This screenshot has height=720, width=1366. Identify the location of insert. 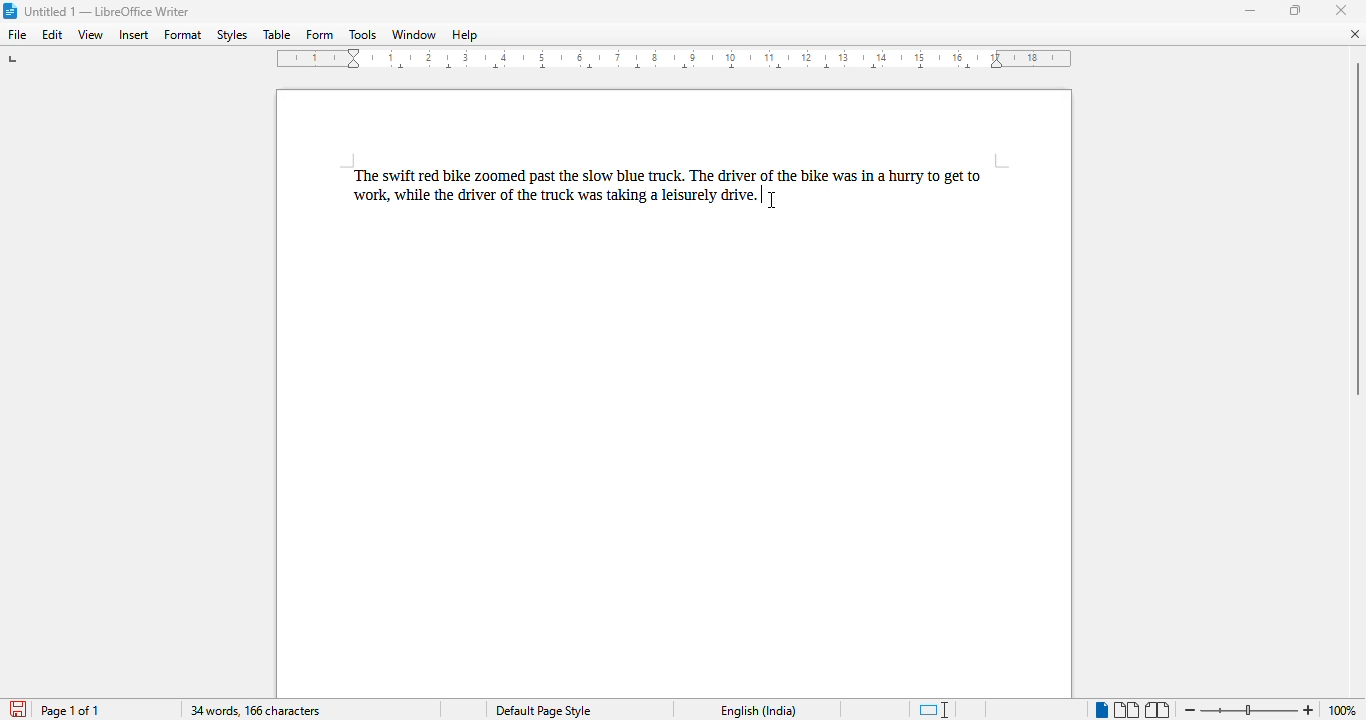
(133, 35).